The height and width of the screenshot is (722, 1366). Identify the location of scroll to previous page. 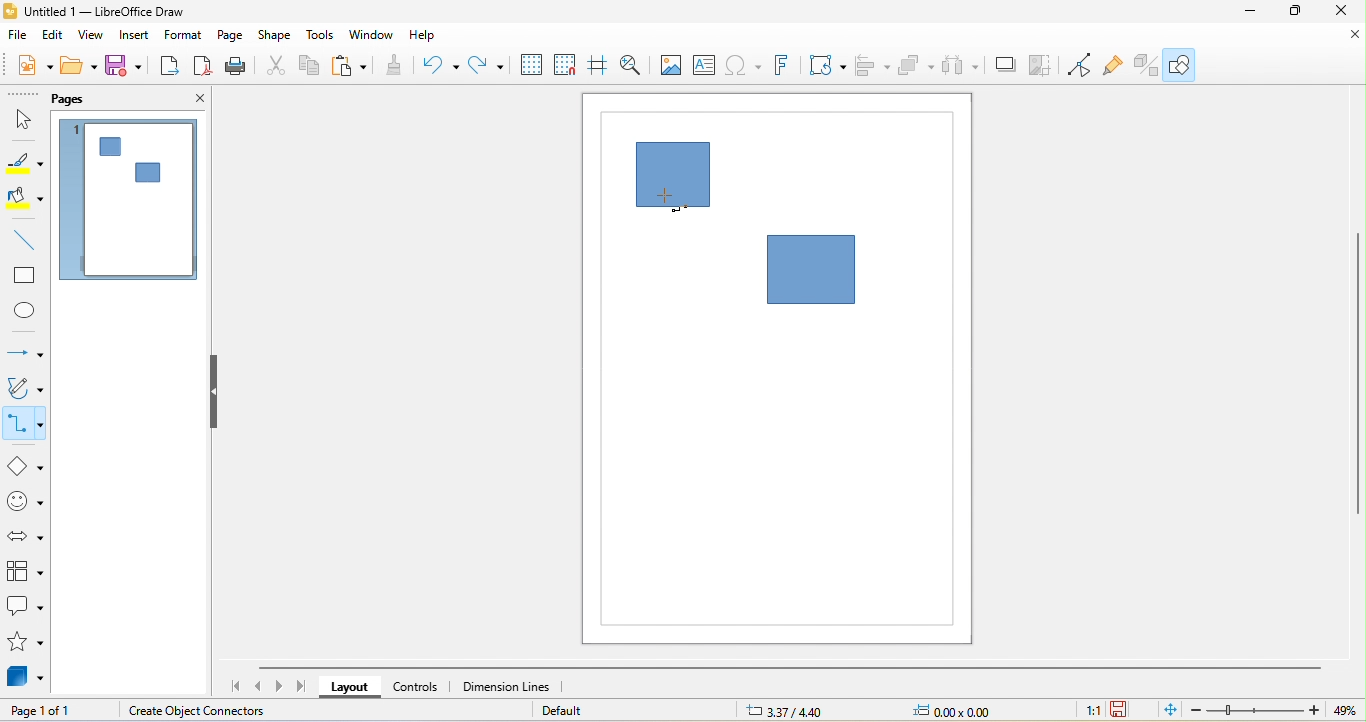
(258, 688).